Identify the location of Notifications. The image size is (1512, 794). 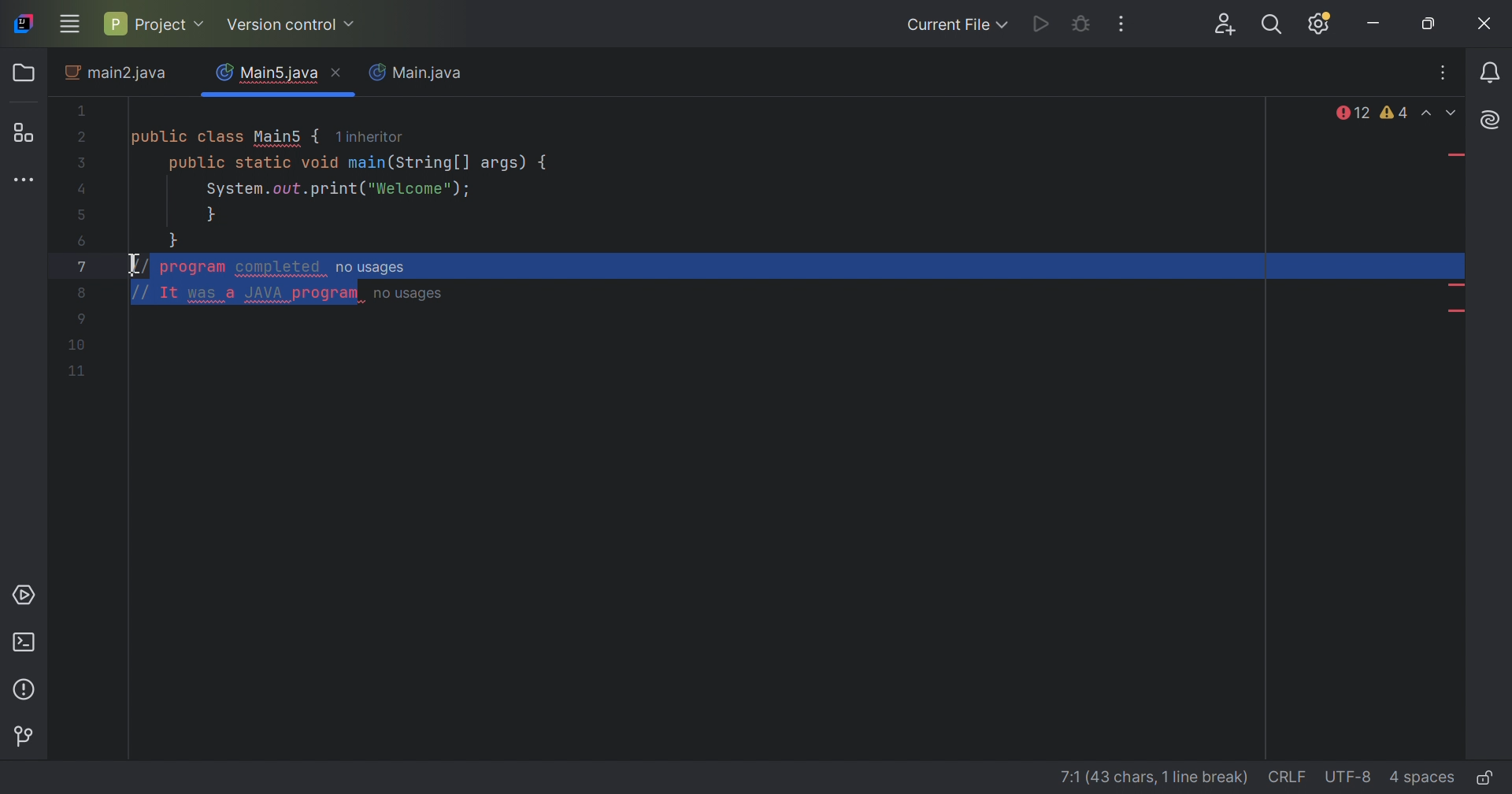
(1488, 71).